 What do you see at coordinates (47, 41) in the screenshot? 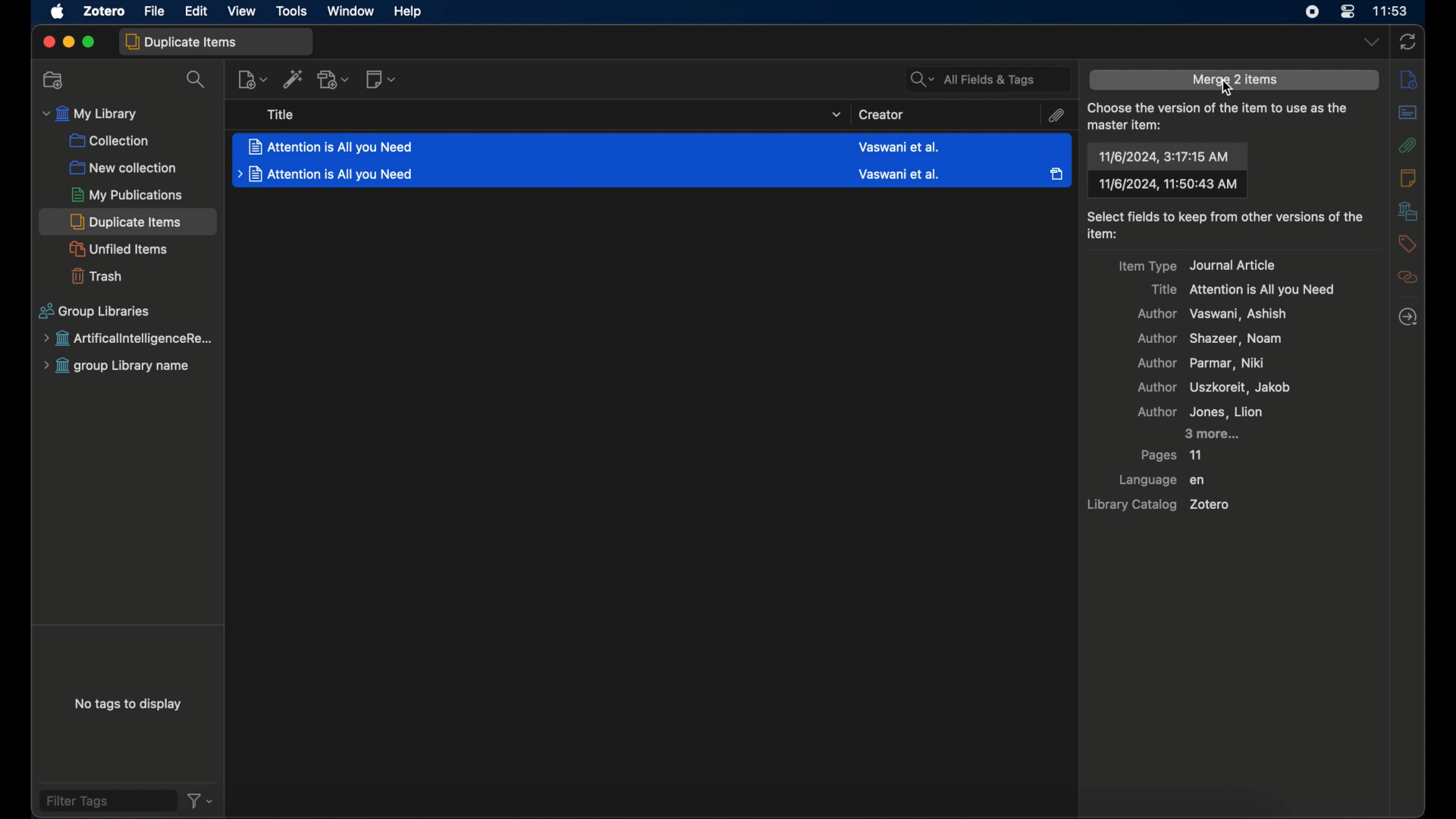
I see `close` at bounding box center [47, 41].